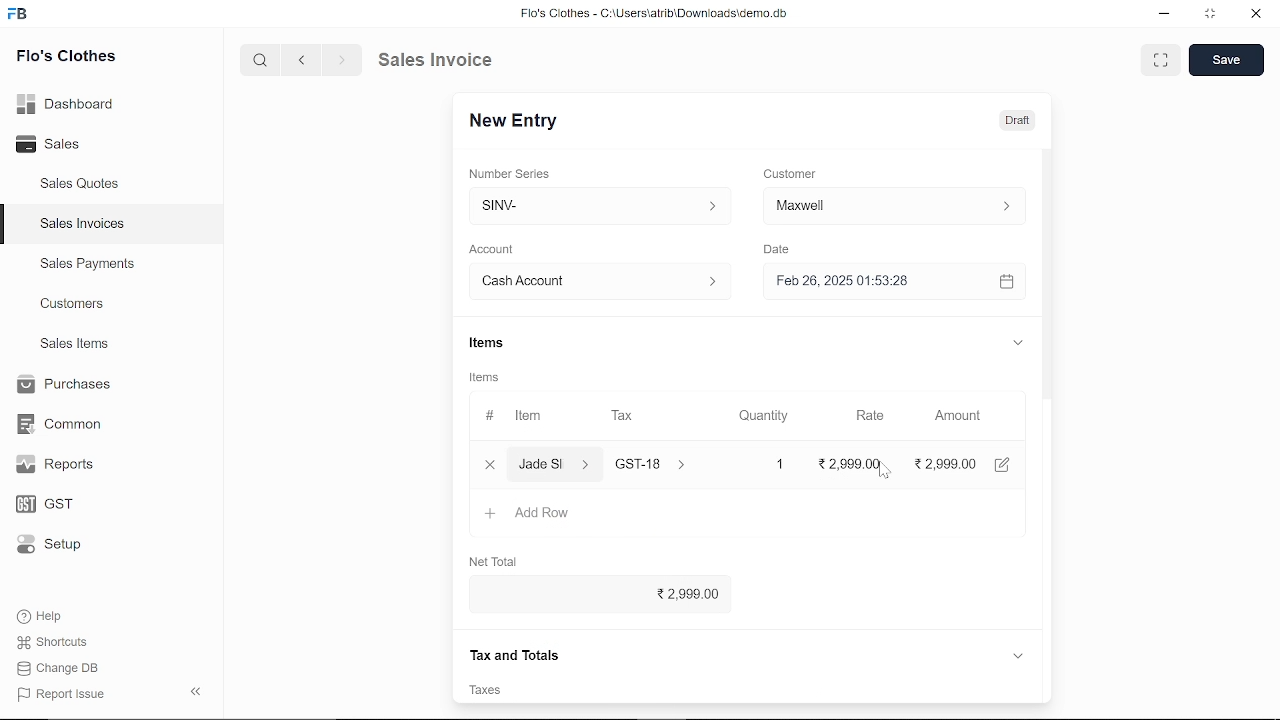 The image size is (1280, 720). I want to click on next, so click(342, 60).